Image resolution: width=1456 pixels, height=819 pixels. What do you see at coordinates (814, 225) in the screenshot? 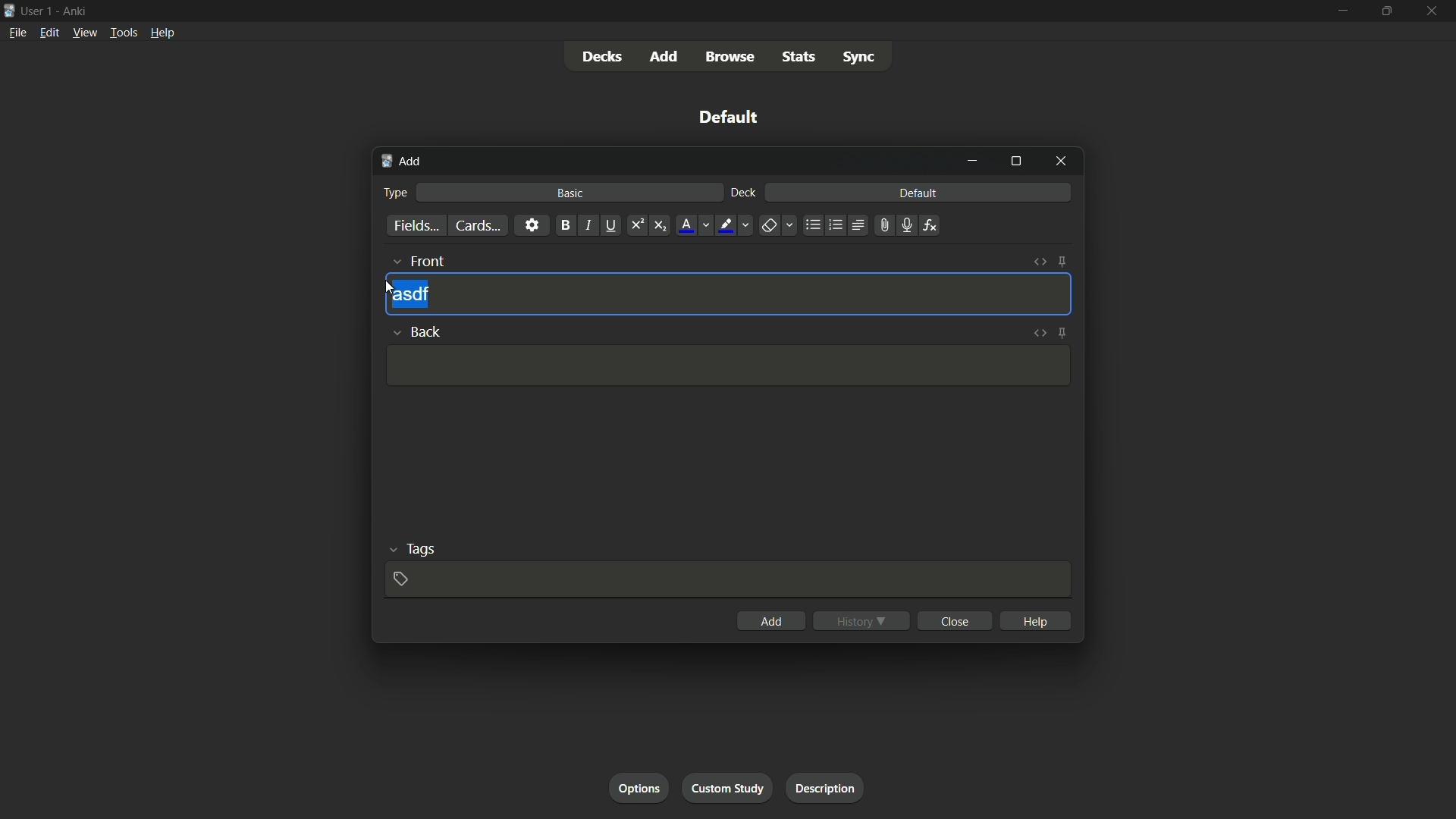
I see `unordered list` at bounding box center [814, 225].